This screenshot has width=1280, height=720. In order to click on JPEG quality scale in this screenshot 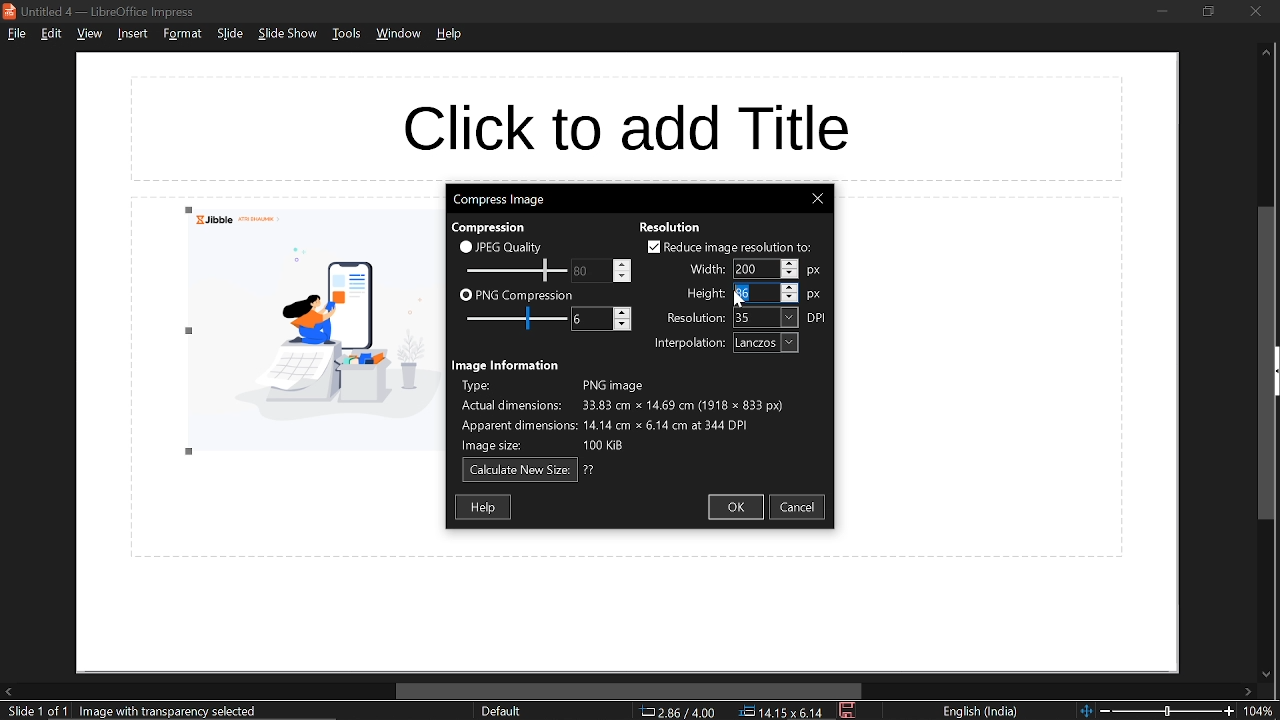, I will do `click(519, 320)`.